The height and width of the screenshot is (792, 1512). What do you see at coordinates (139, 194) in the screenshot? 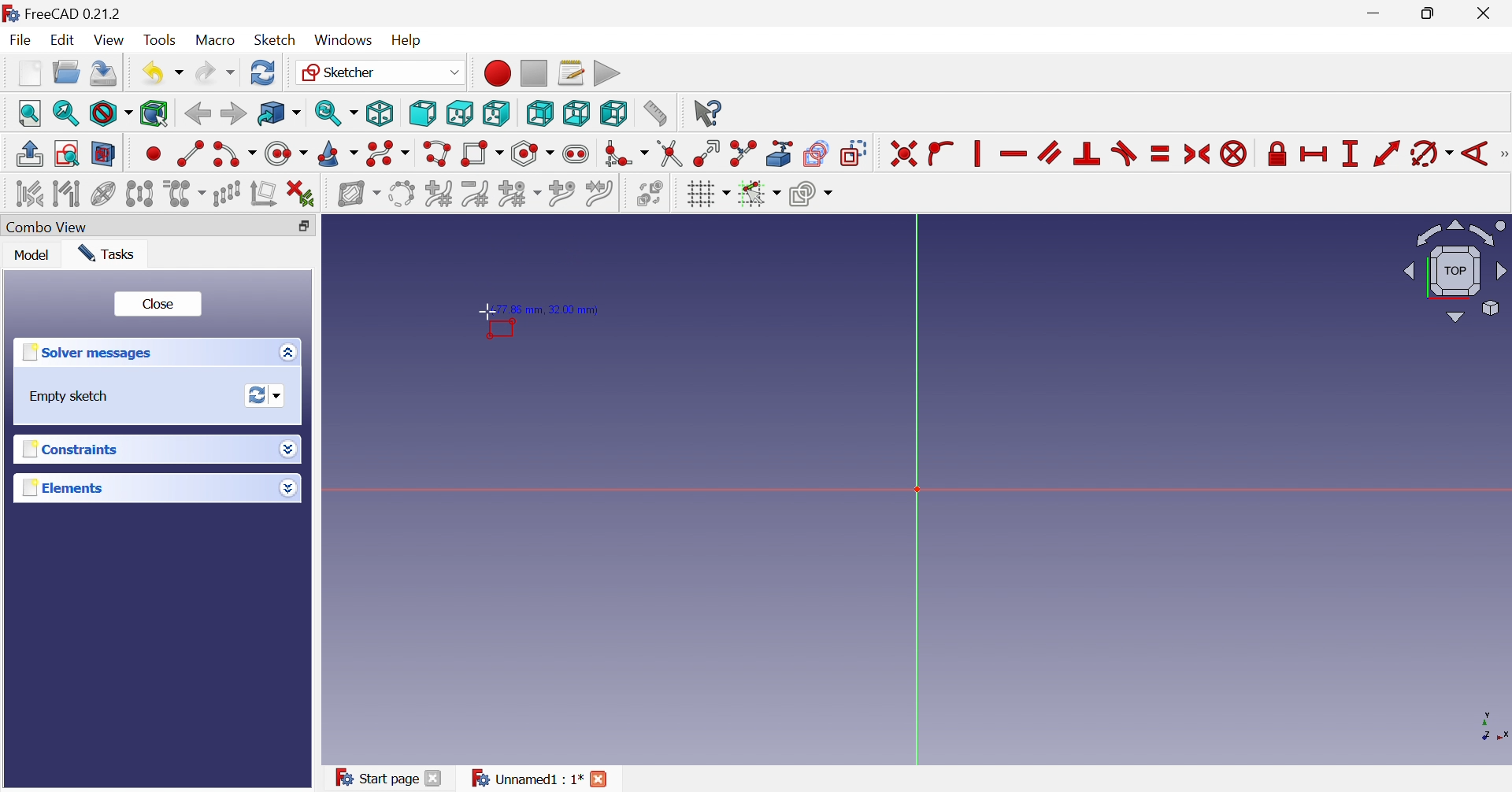
I see `Symmetry` at bounding box center [139, 194].